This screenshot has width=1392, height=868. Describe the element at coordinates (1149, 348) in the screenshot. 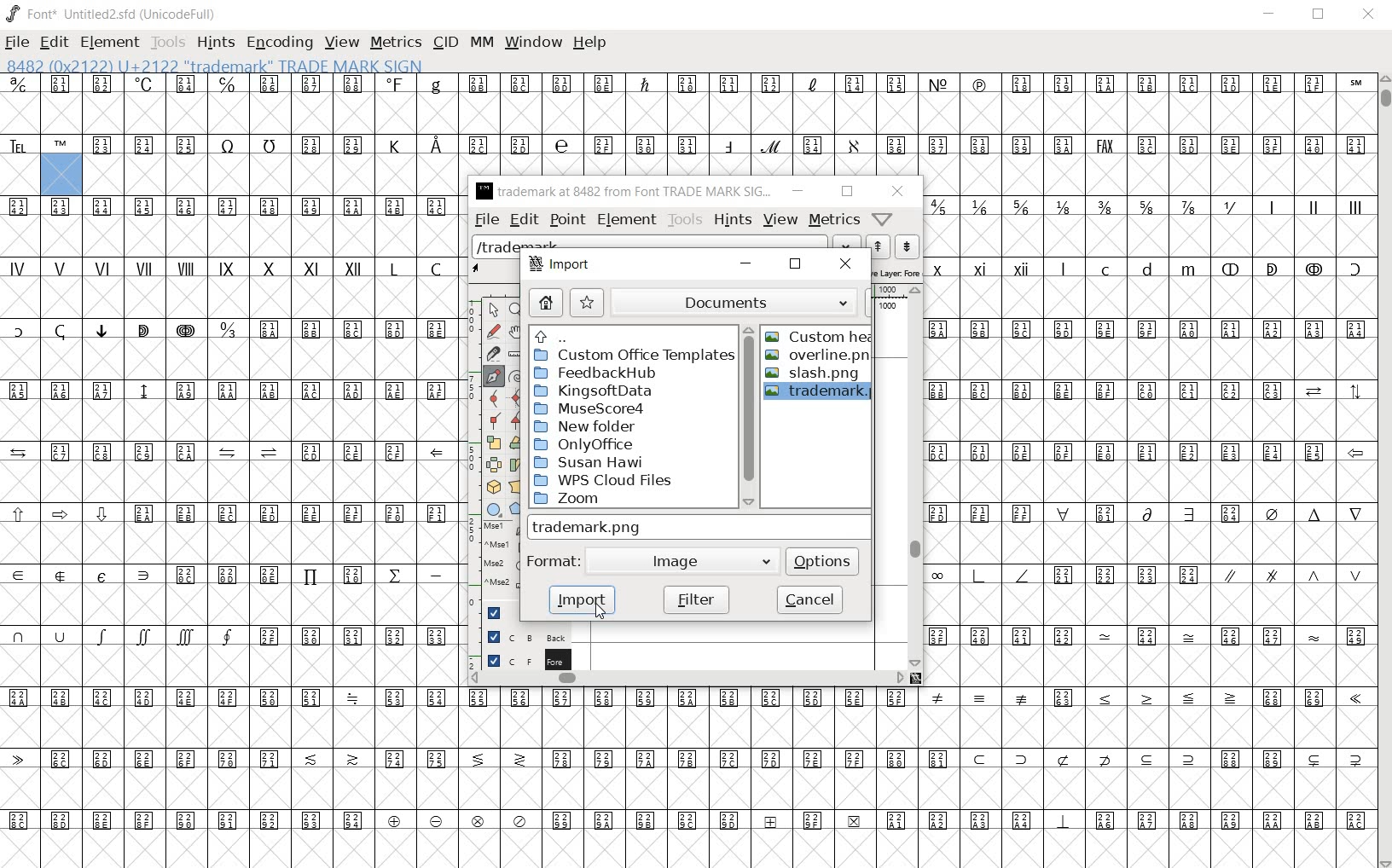

I see `symbols` at that location.